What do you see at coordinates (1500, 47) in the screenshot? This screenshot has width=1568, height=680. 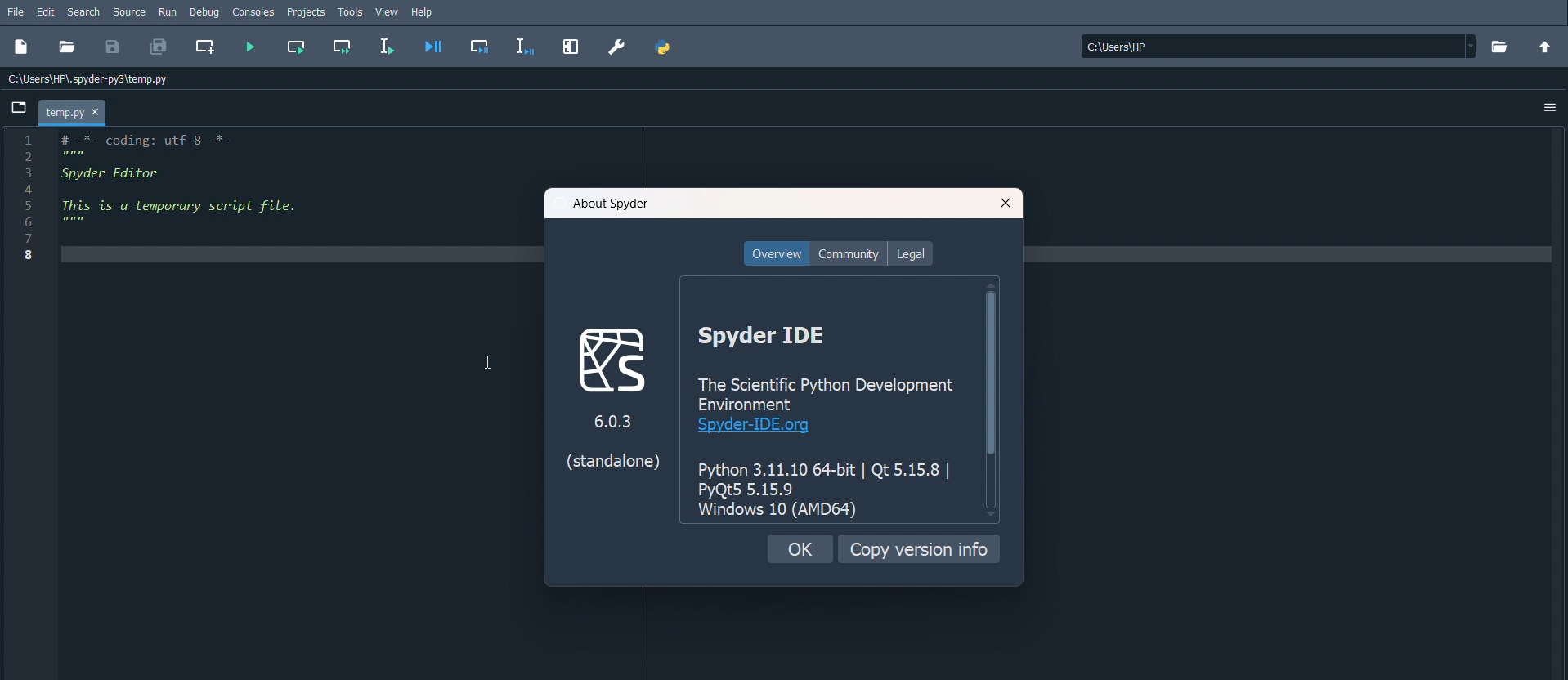 I see `Browse a working directory` at bounding box center [1500, 47].